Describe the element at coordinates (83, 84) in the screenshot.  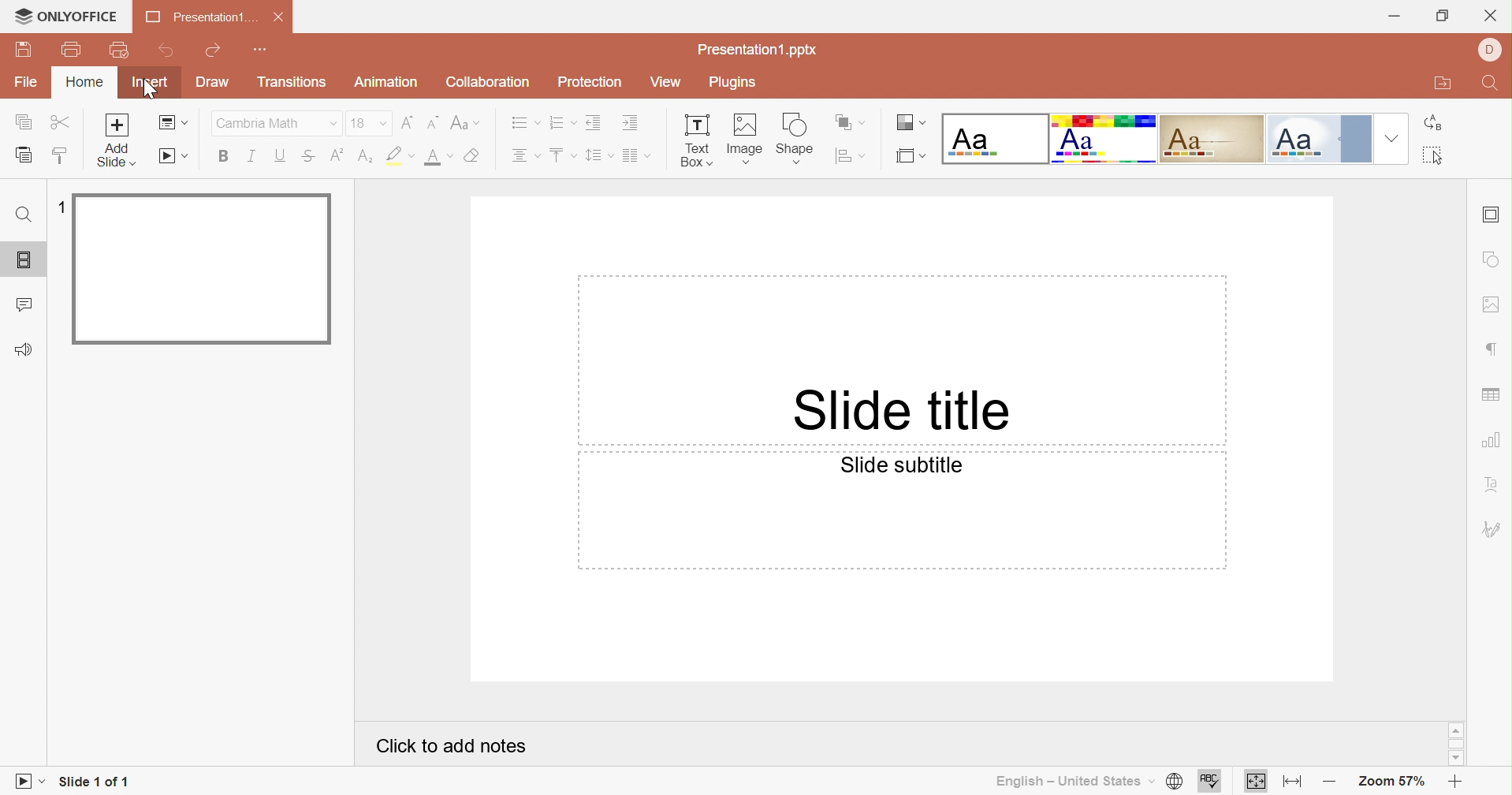
I see `Home` at that location.